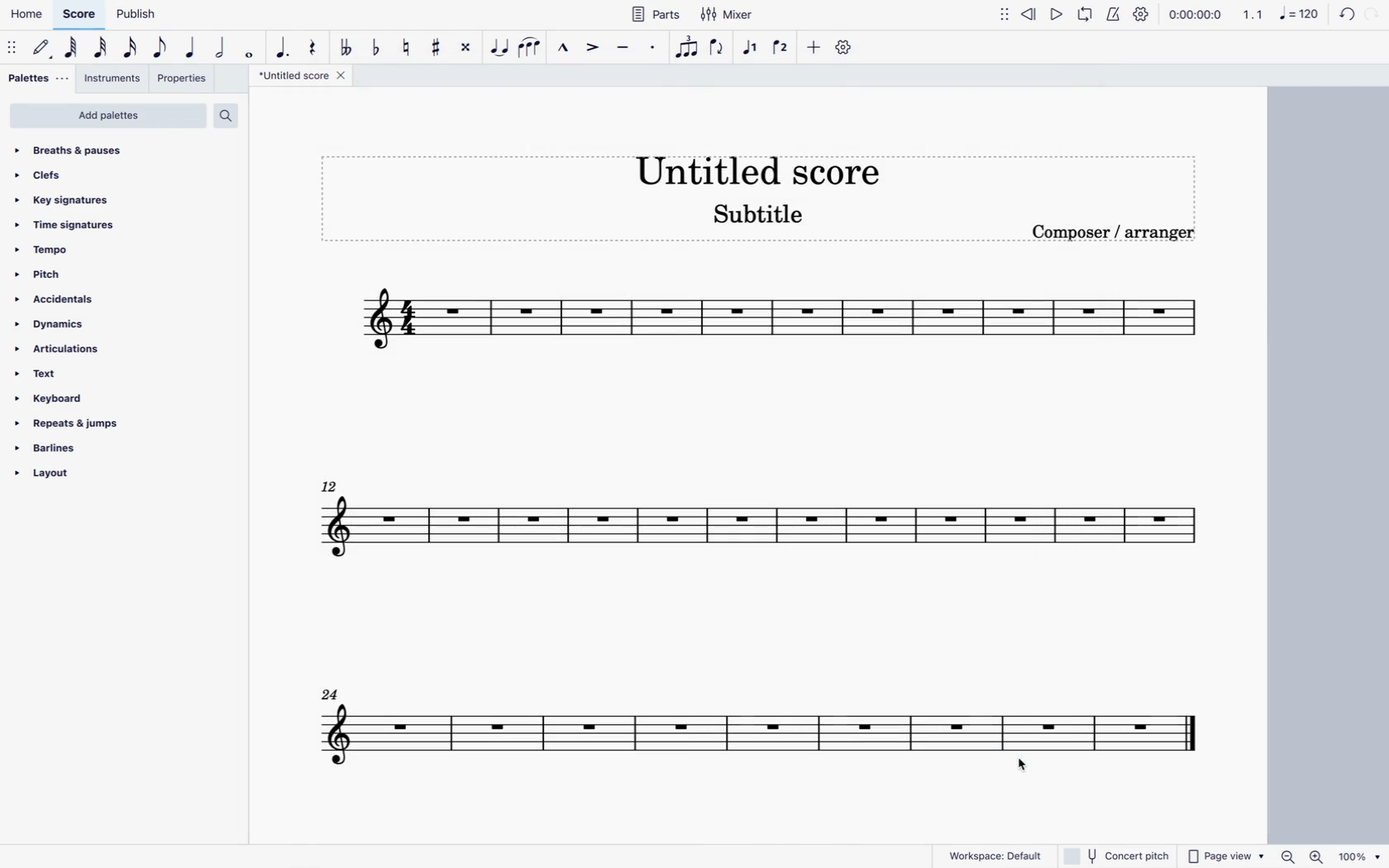  I want to click on play, so click(1057, 17).